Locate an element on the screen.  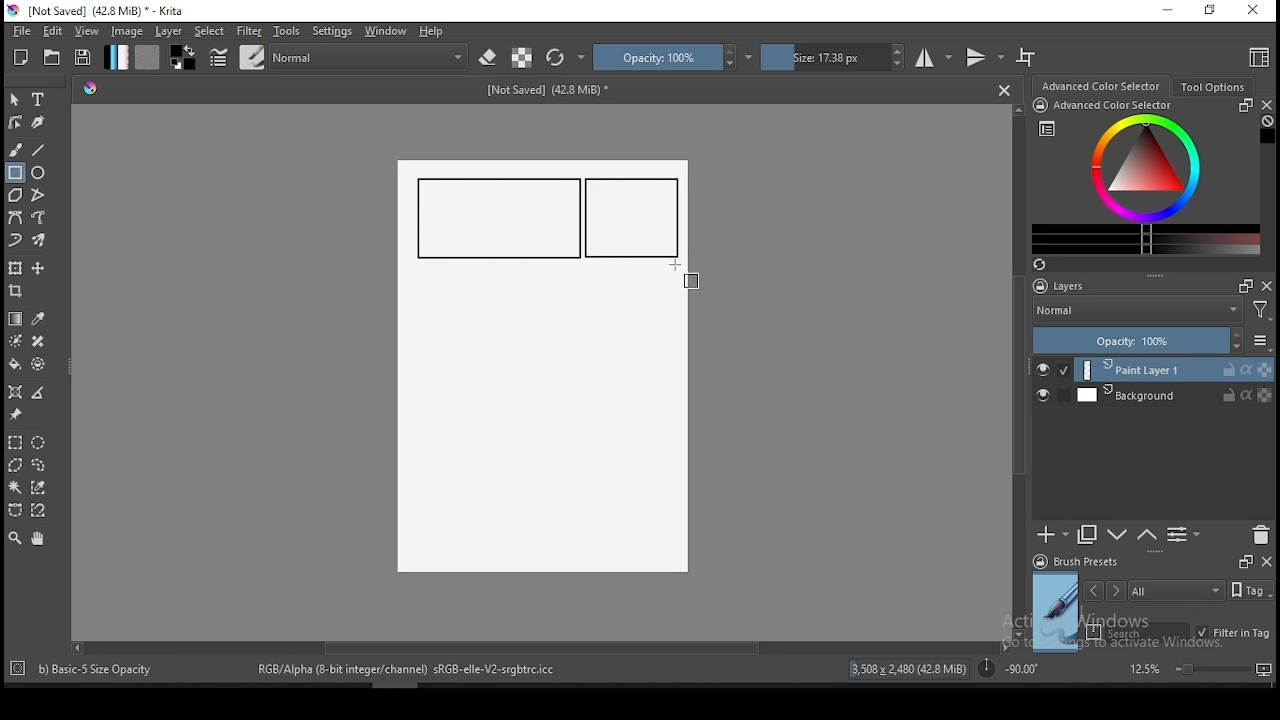
icon and file name is located at coordinates (99, 11).